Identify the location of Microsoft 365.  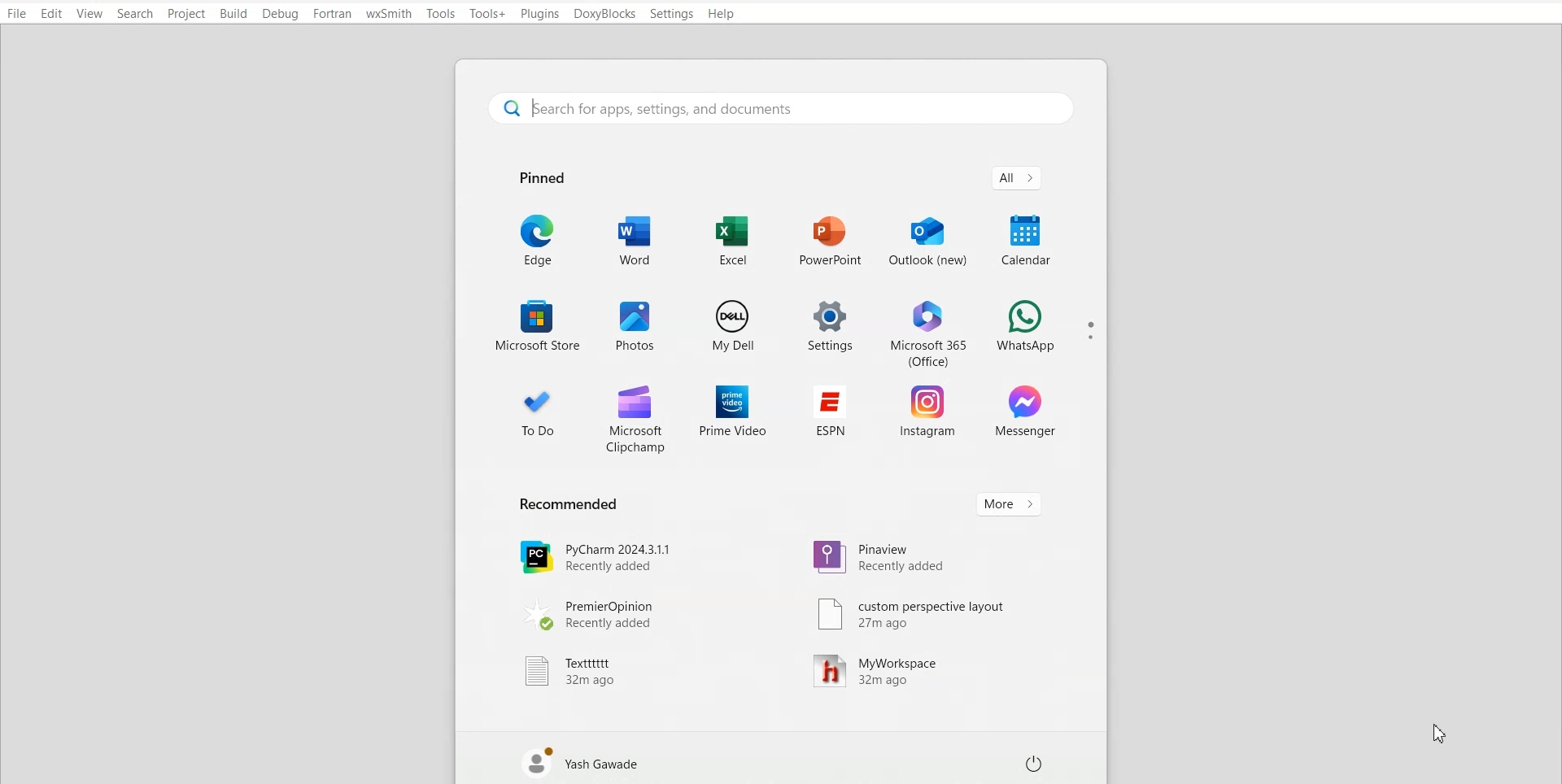
(927, 332).